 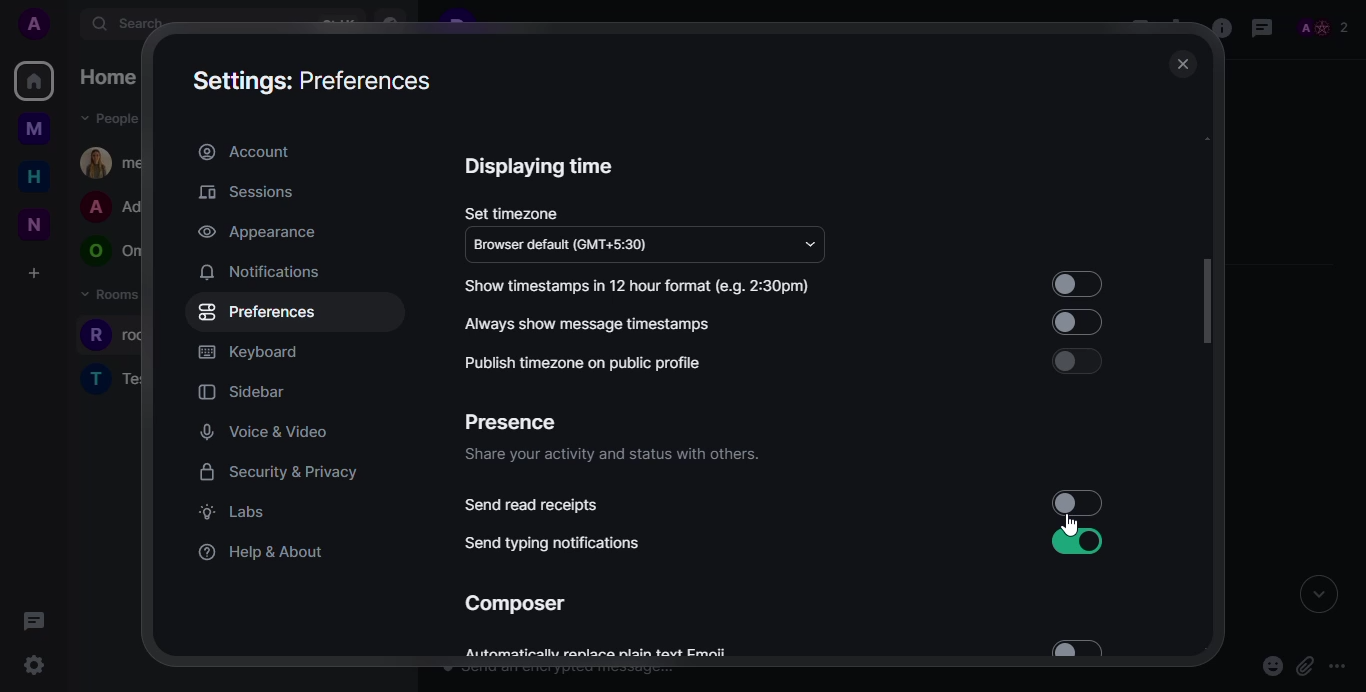 What do you see at coordinates (540, 166) in the screenshot?
I see `displaying time` at bounding box center [540, 166].